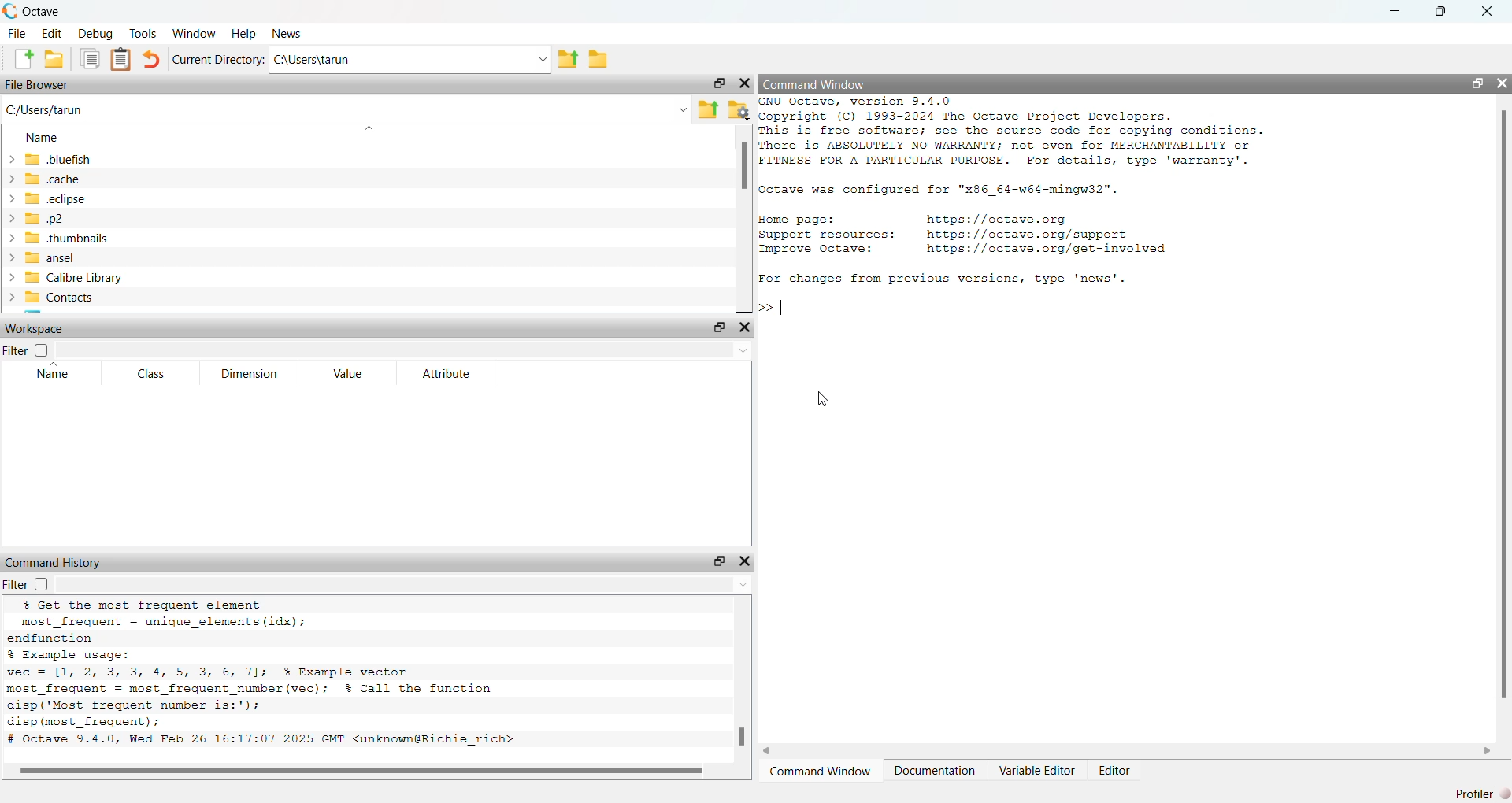  What do you see at coordinates (54, 178) in the screenshot?
I see `.cache` at bounding box center [54, 178].